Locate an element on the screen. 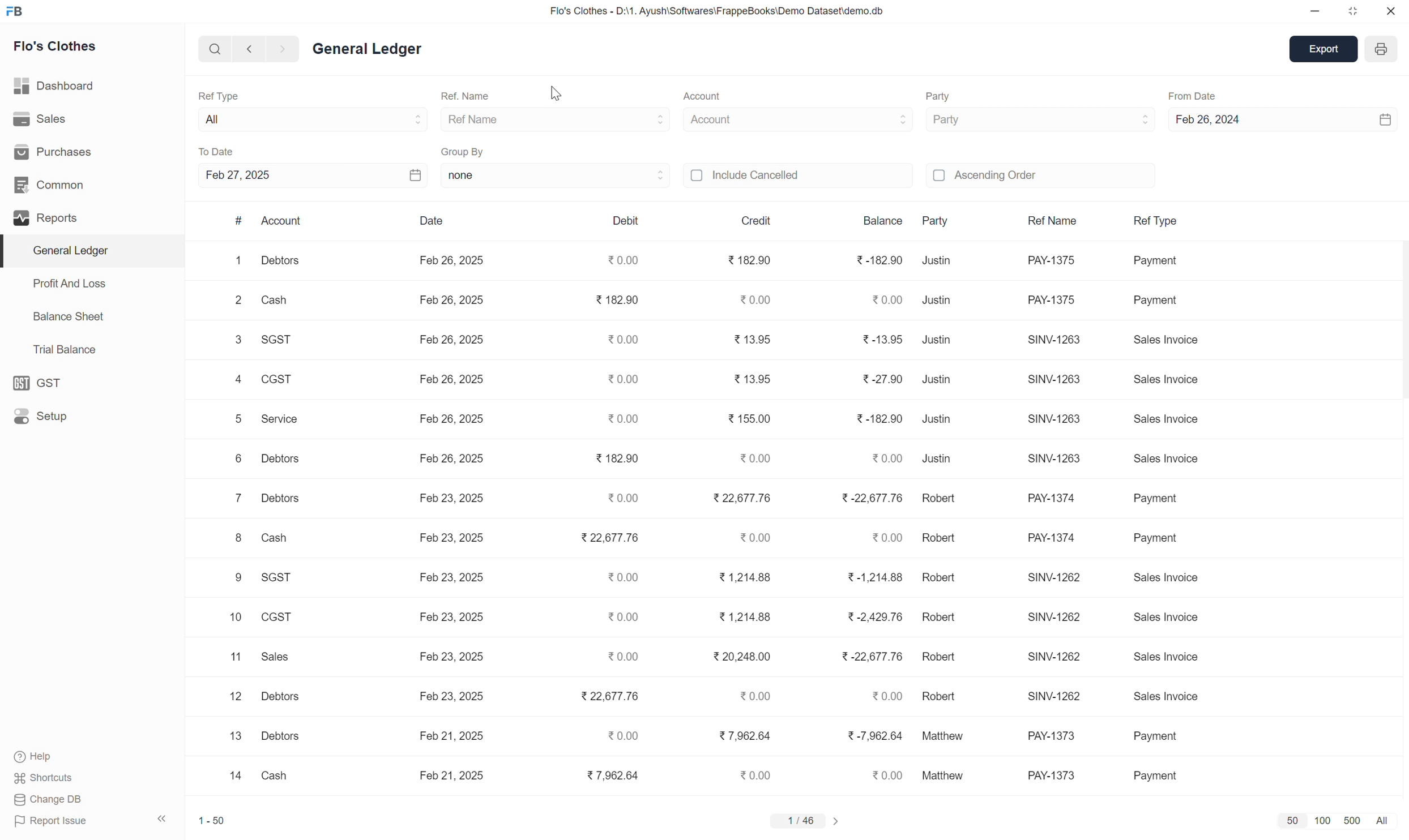  sgst is located at coordinates (277, 340).